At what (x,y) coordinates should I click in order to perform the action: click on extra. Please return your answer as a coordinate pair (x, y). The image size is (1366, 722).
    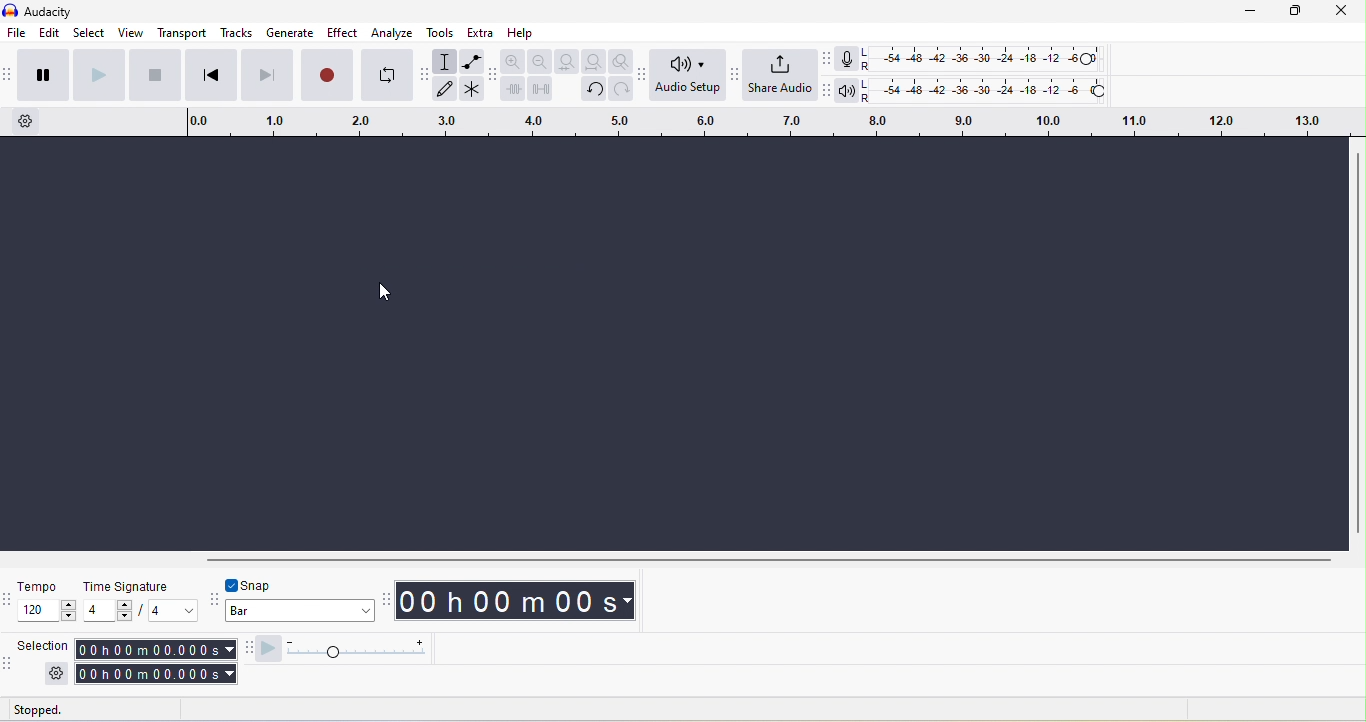
    Looking at the image, I should click on (480, 32).